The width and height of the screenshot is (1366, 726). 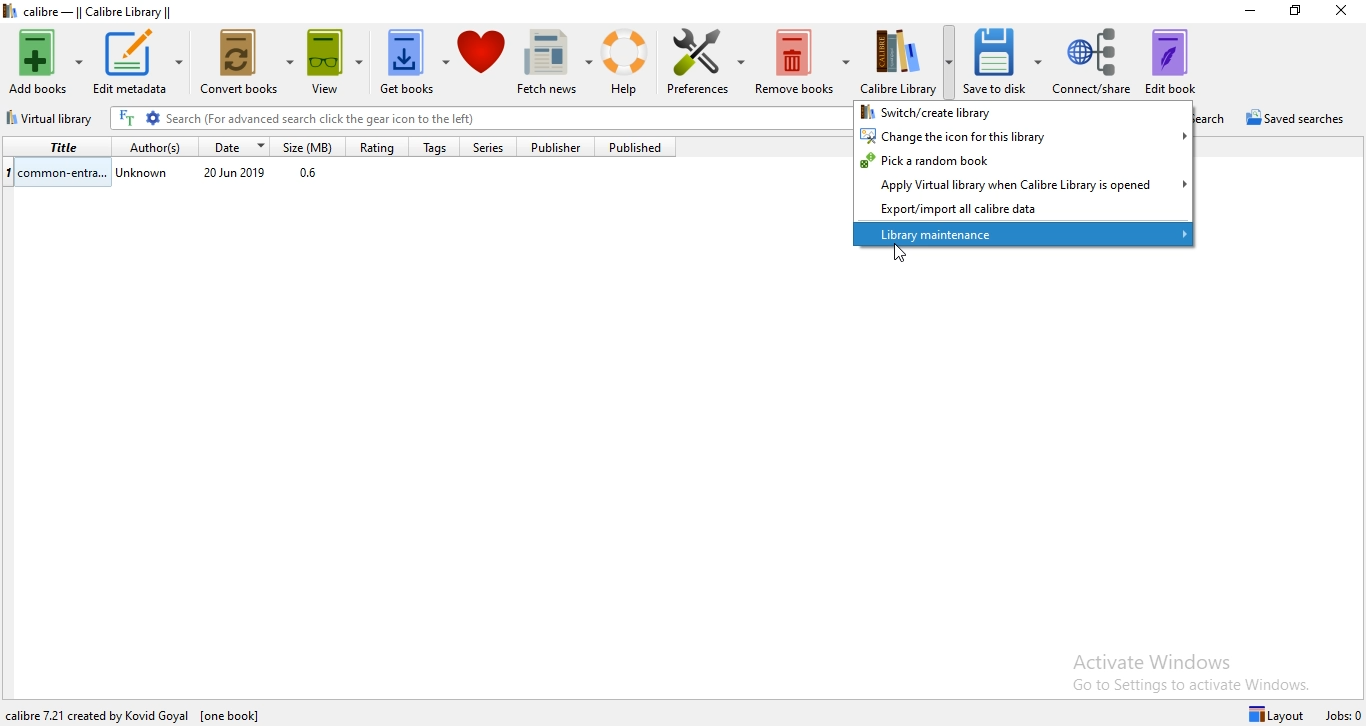 What do you see at coordinates (138, 63) in the screenshot?
I see `Edit metadata` at bounding box center [138, 63].